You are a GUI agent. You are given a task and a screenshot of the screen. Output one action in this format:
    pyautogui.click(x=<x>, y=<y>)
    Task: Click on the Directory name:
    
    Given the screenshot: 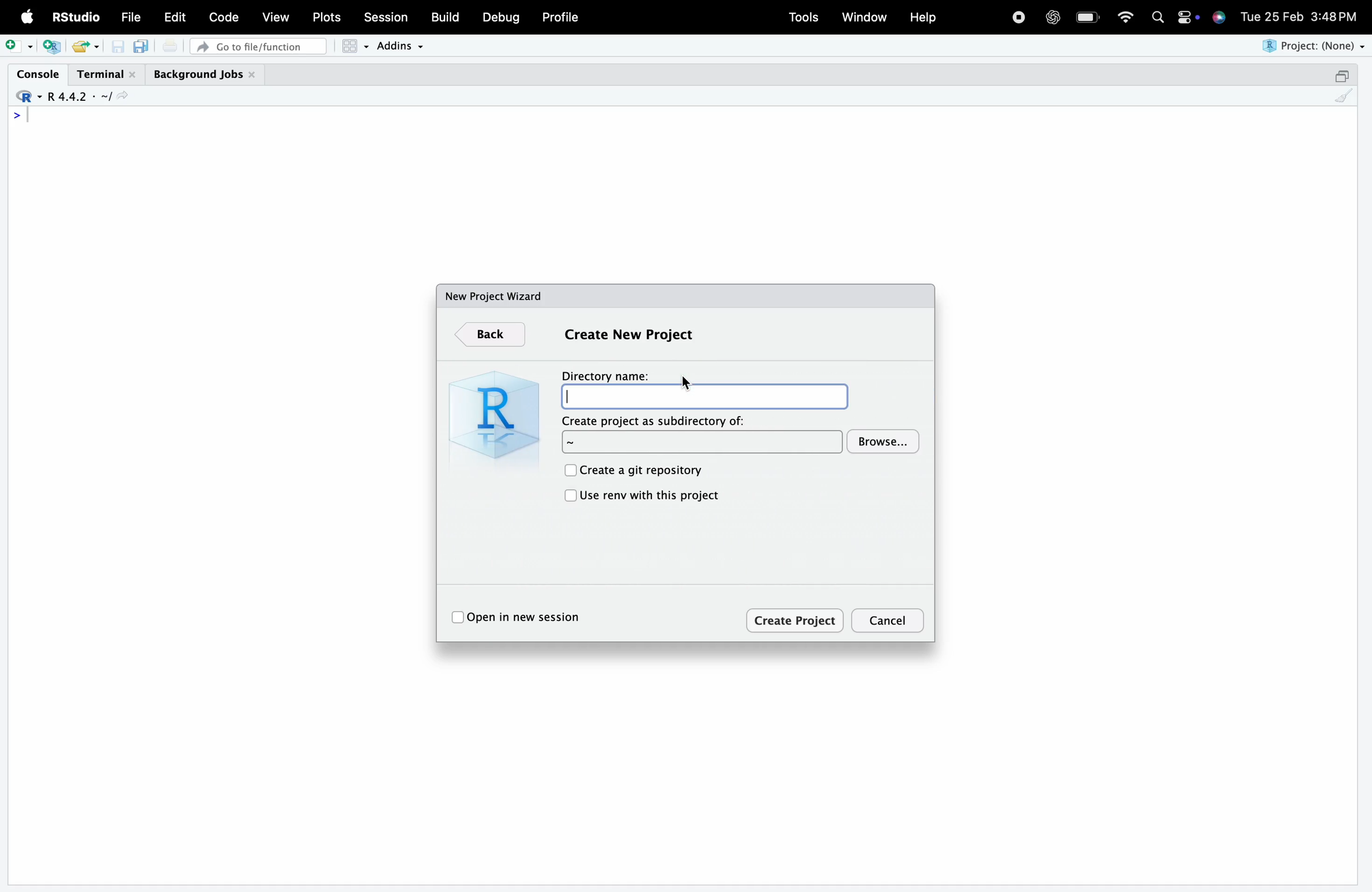 What is the action you would take?
    pyautogui.click(x=605, y=376)
    